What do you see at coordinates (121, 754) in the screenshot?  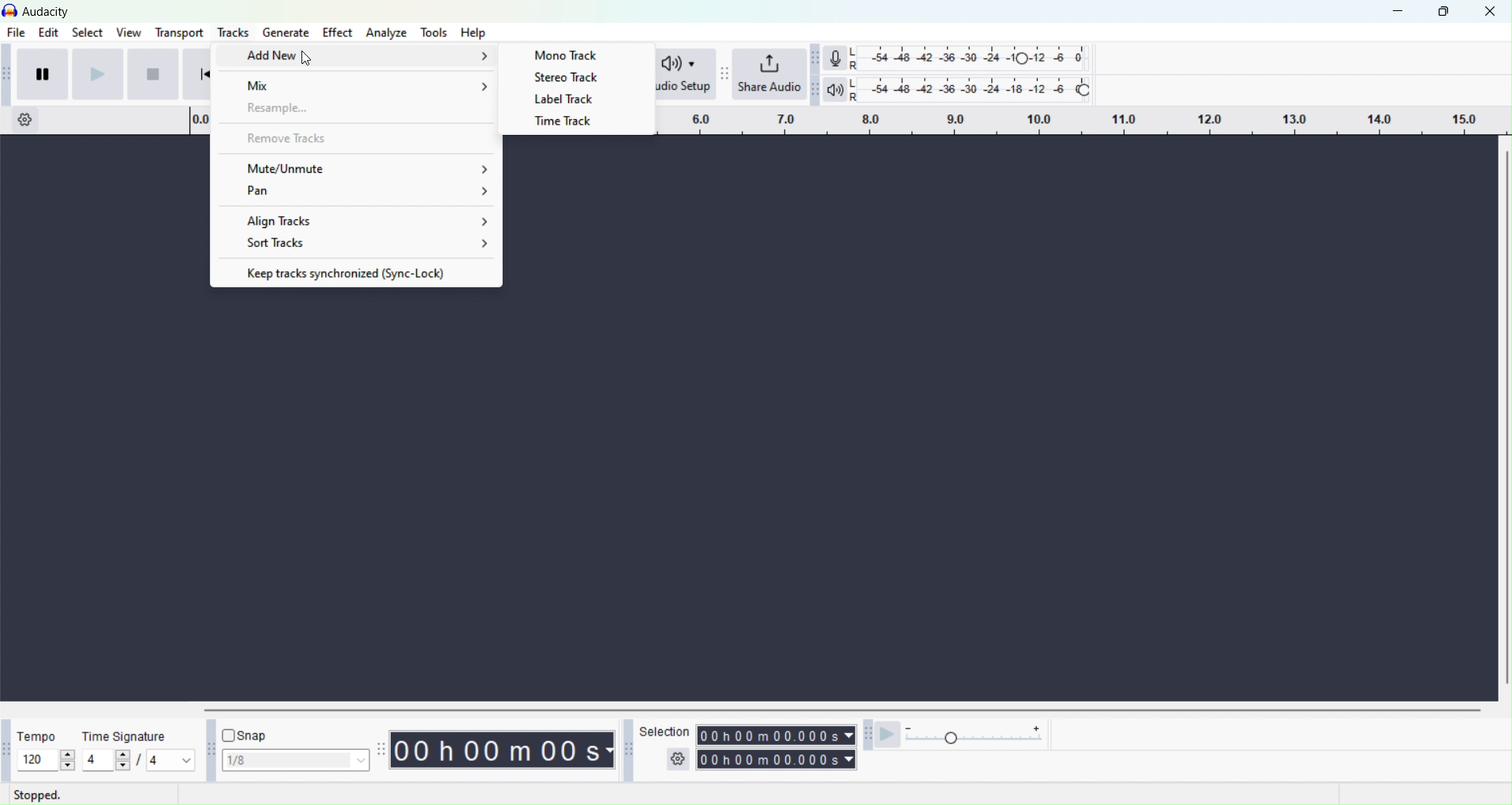 I see `increase beat per measure` at bounding box center [121, 754].